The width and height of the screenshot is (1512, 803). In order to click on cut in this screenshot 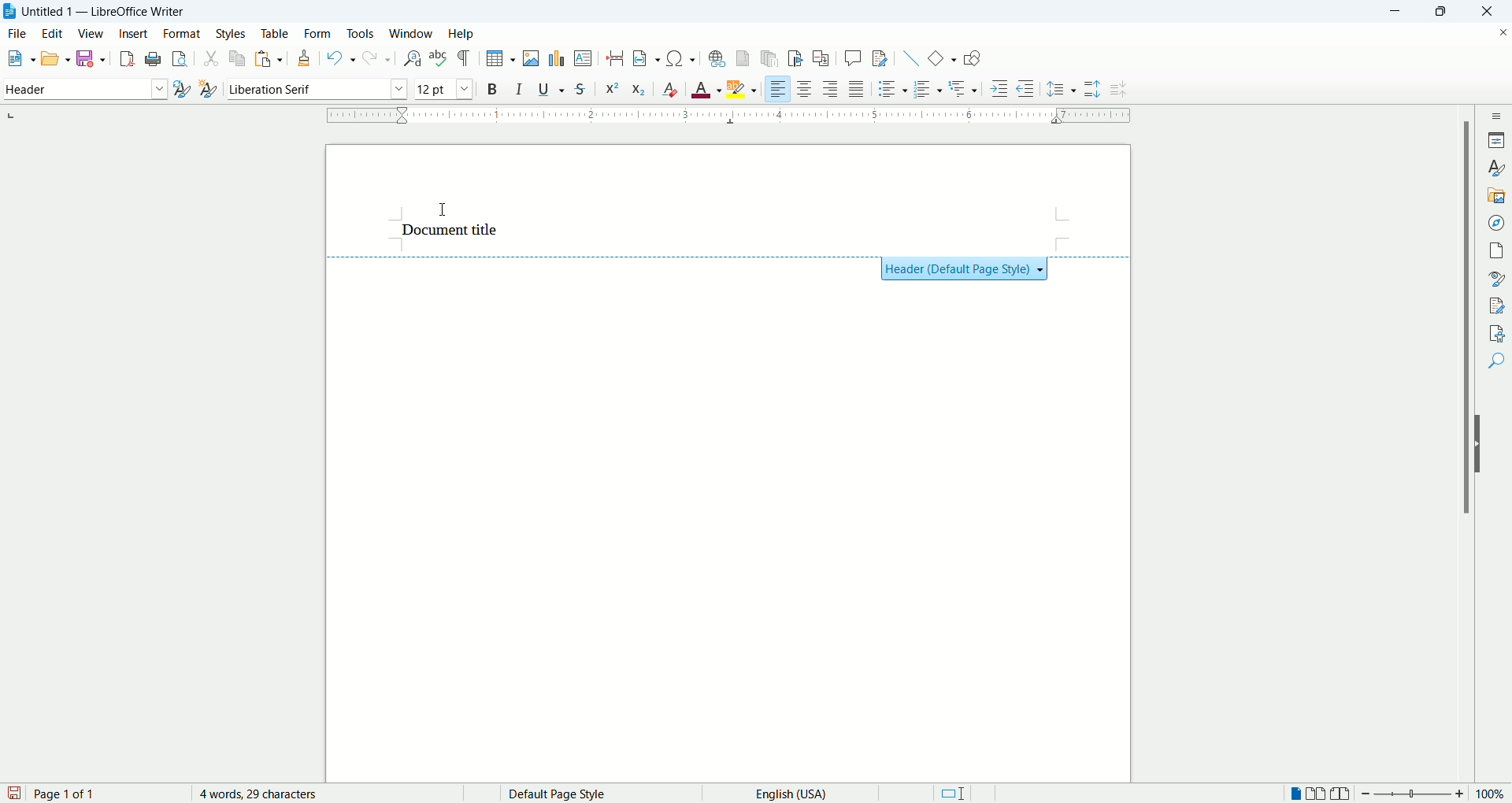, I will do `click(214, 58)`.